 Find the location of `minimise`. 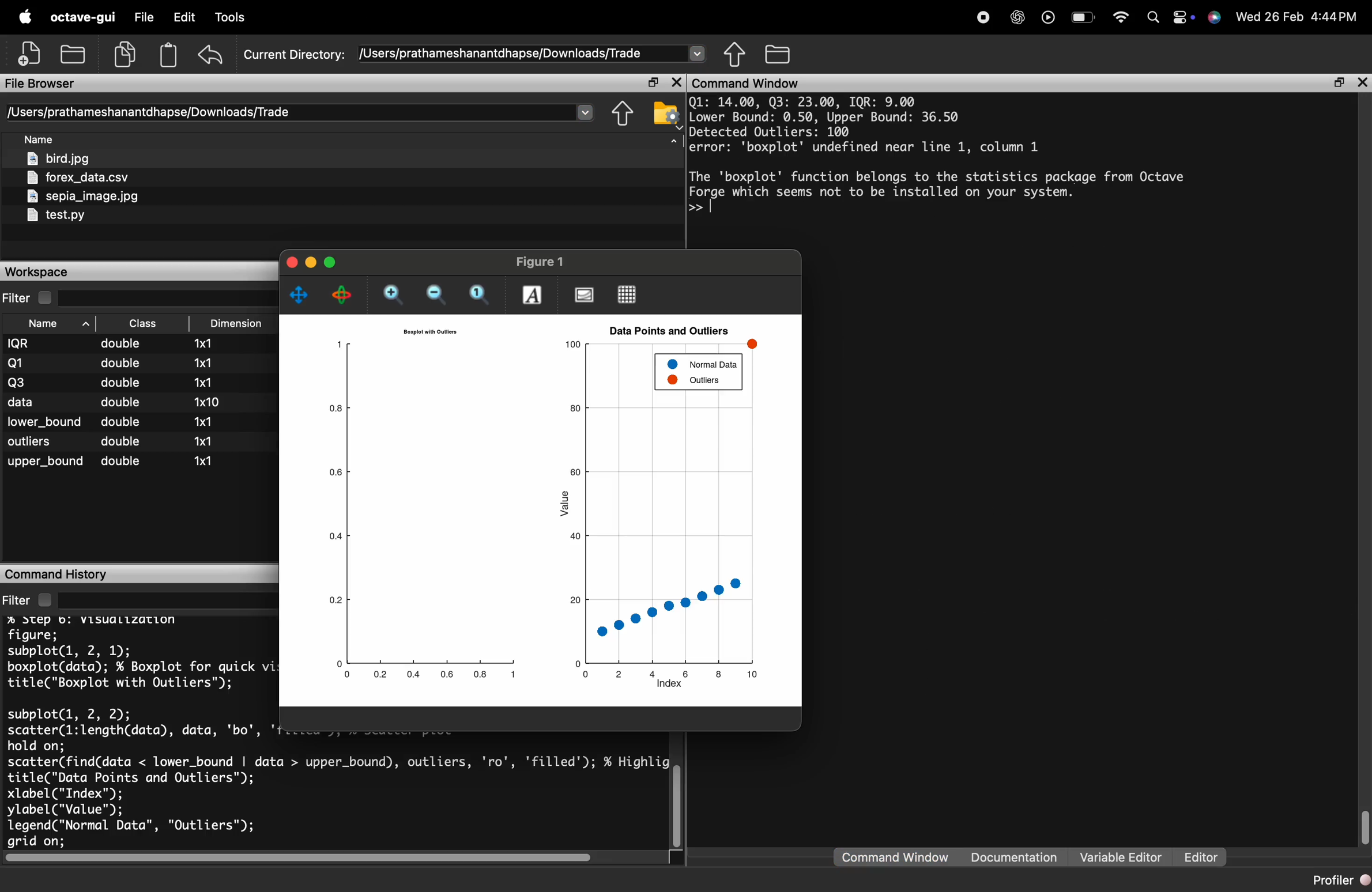

minimise is located at coordinates (311, 261).